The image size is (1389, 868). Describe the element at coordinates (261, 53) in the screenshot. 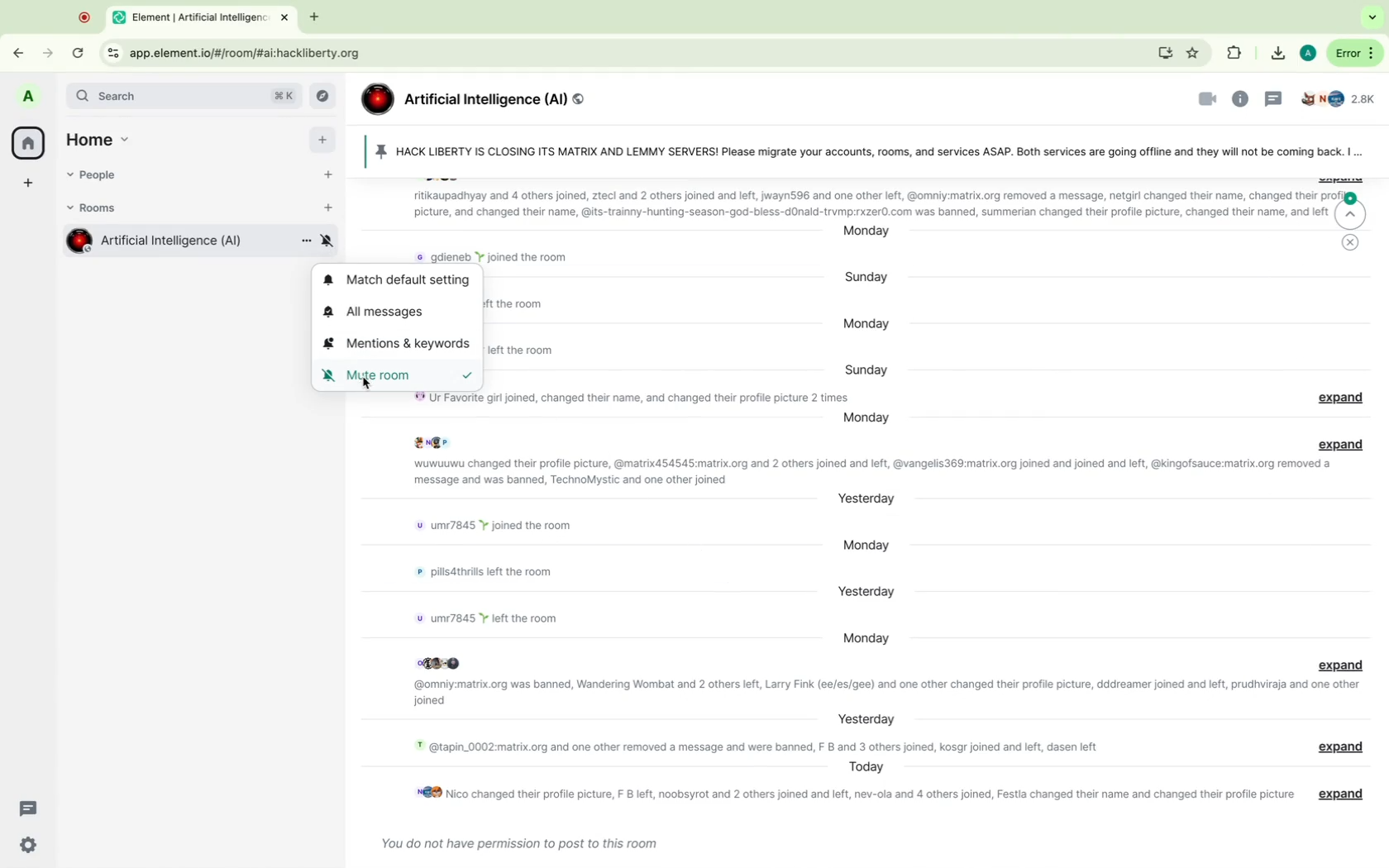

I see `url` at that location.